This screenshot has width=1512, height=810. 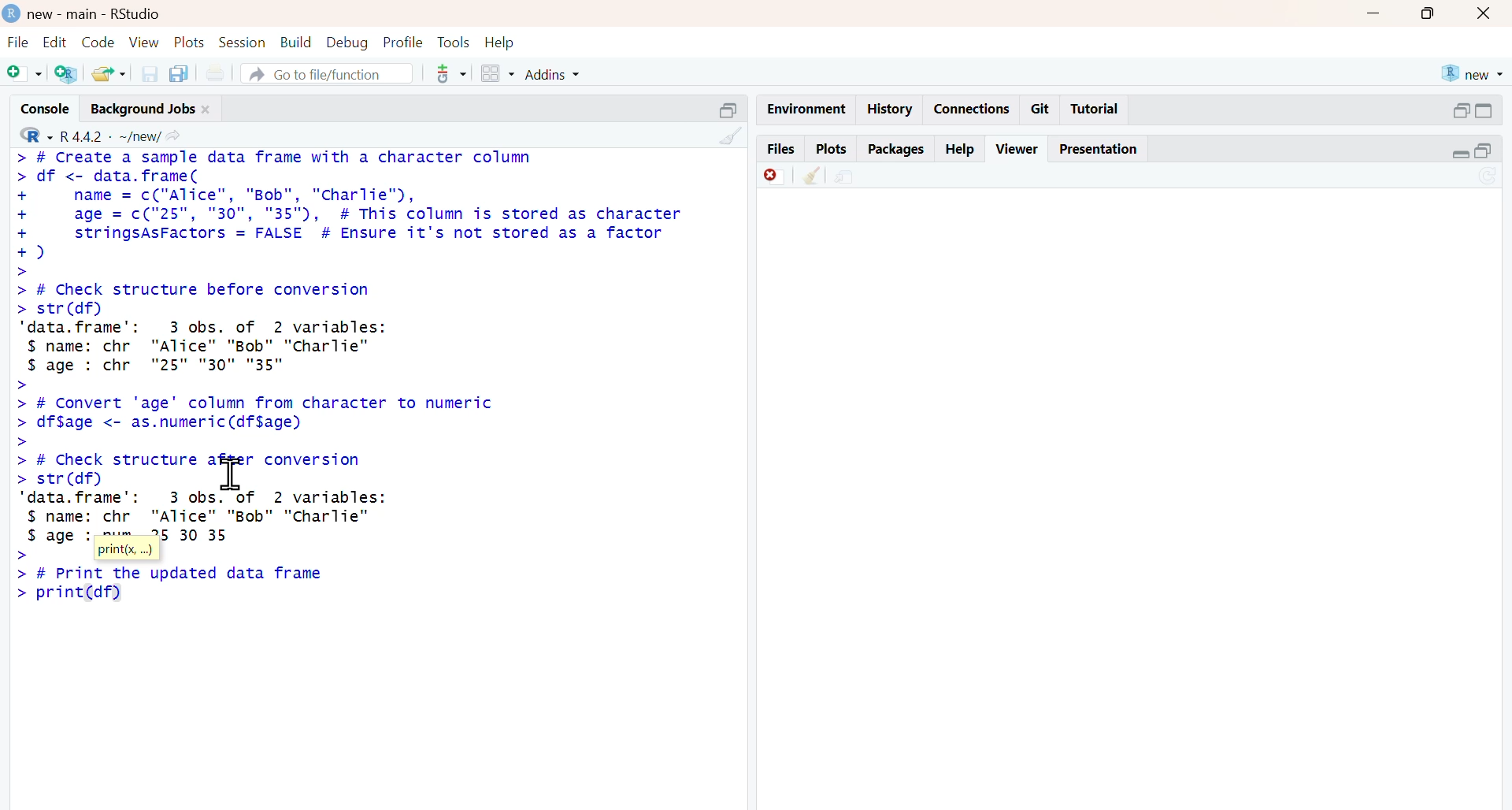 I want to click on Tutorial , so click(x=1095, y=108).